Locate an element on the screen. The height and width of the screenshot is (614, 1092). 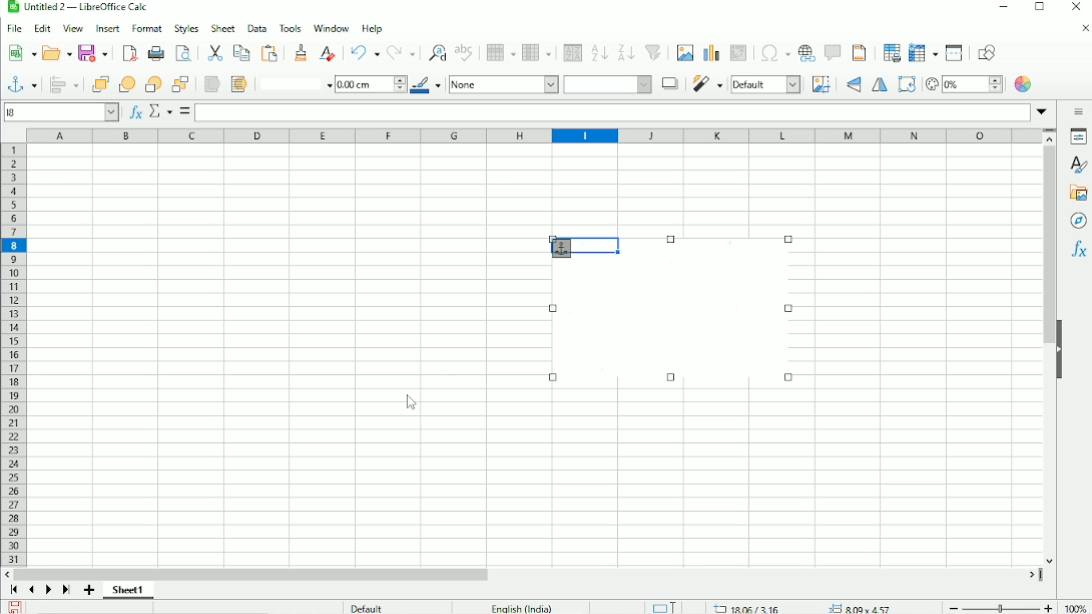
Restore down is located at coordinates (1039, 8).